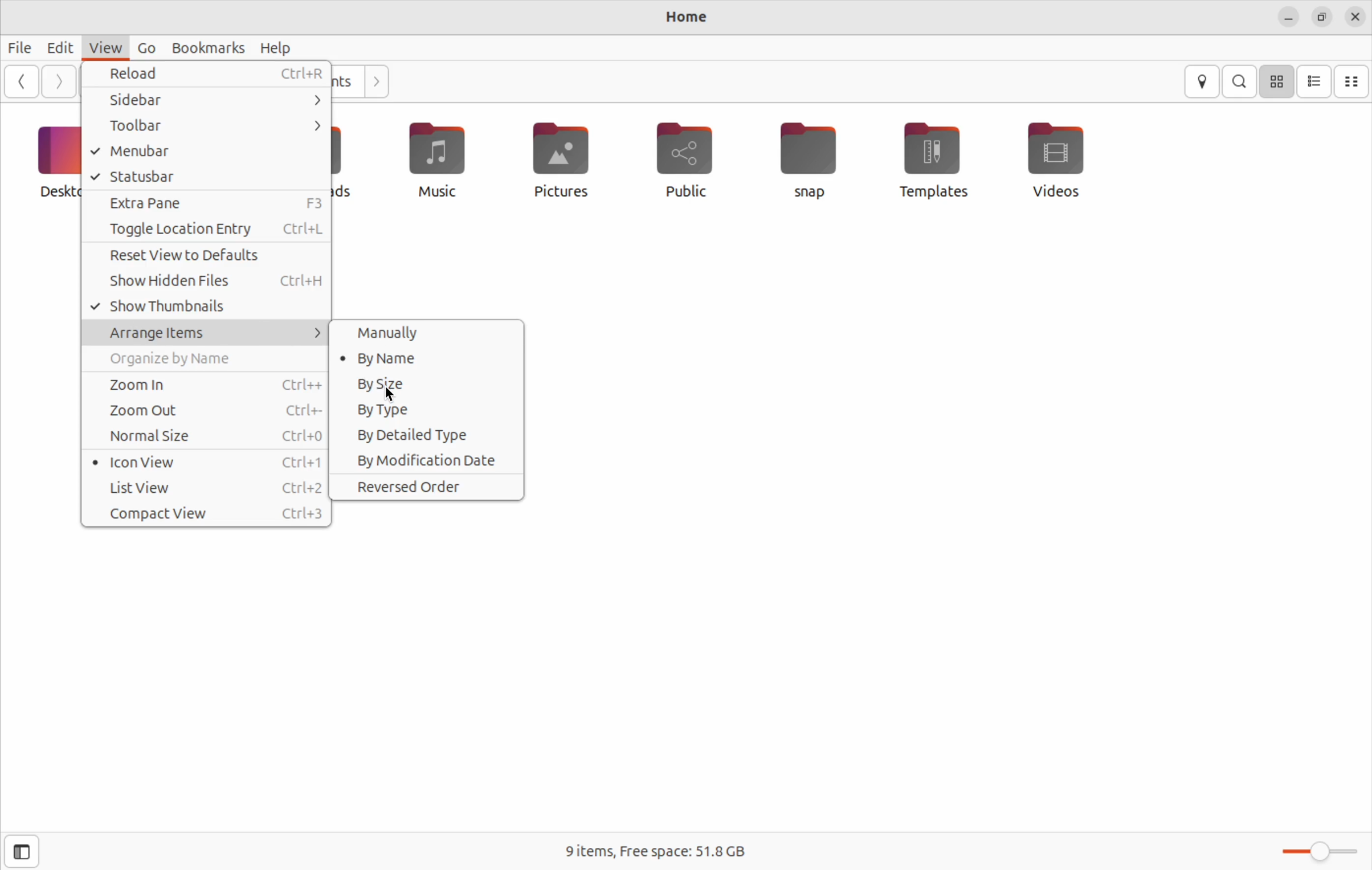  I want to click on templates, so click(930, 160).